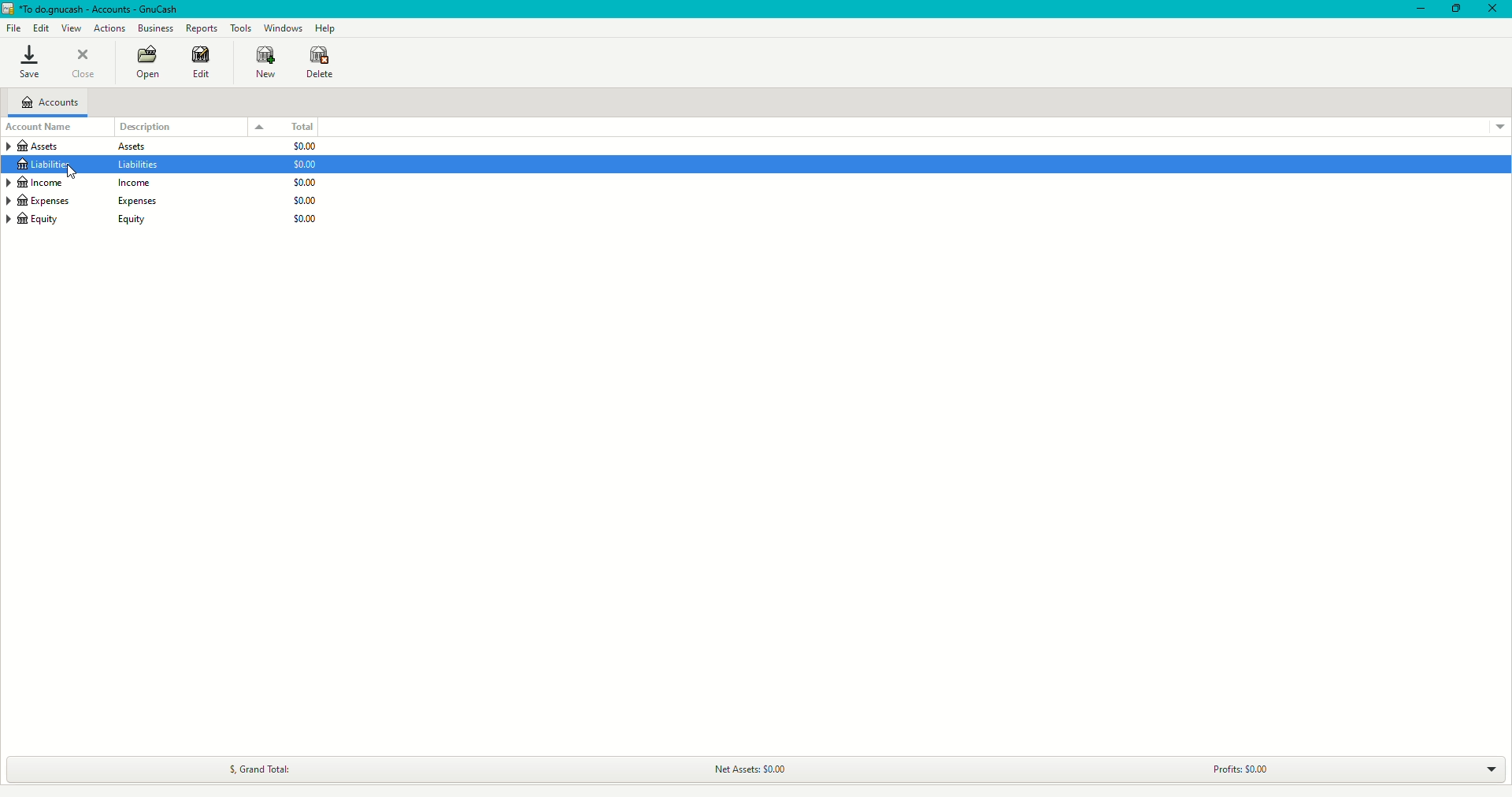  I want to click on New, so click(263, 64).